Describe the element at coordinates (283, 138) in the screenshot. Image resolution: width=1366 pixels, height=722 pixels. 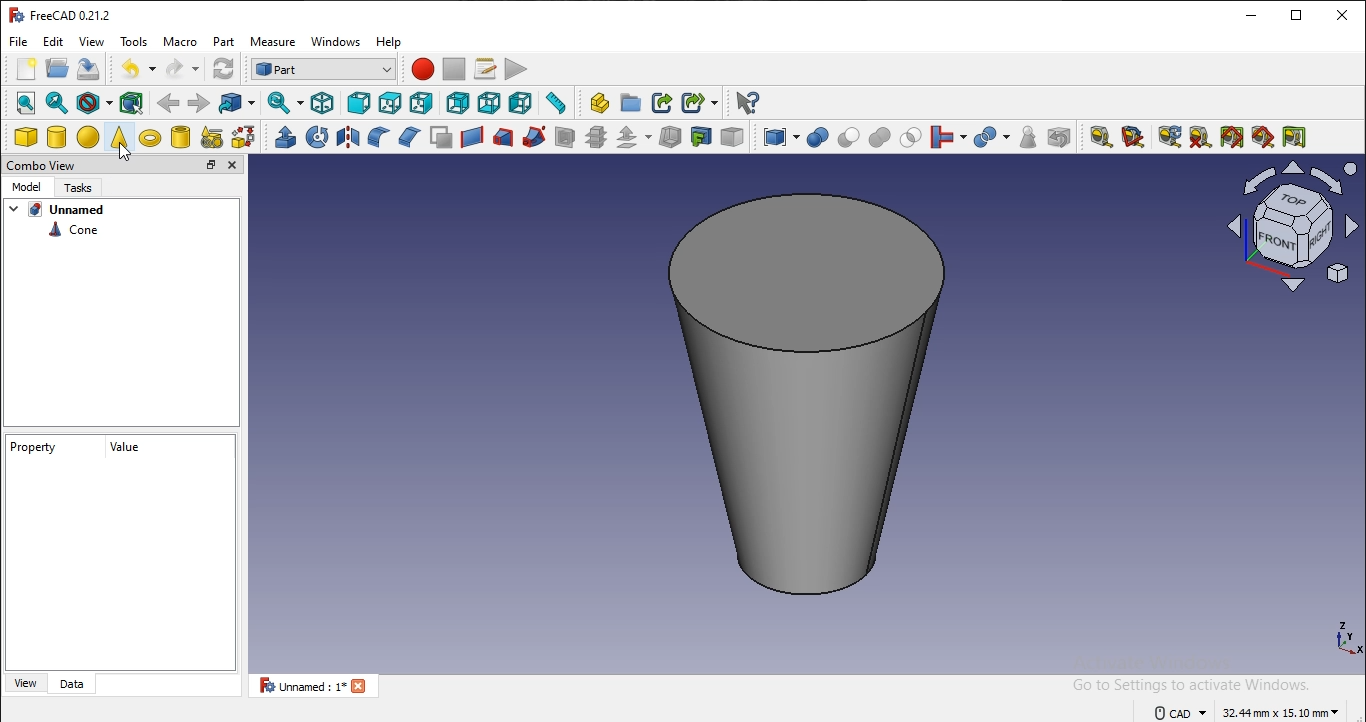
I see `extrude` at that location.